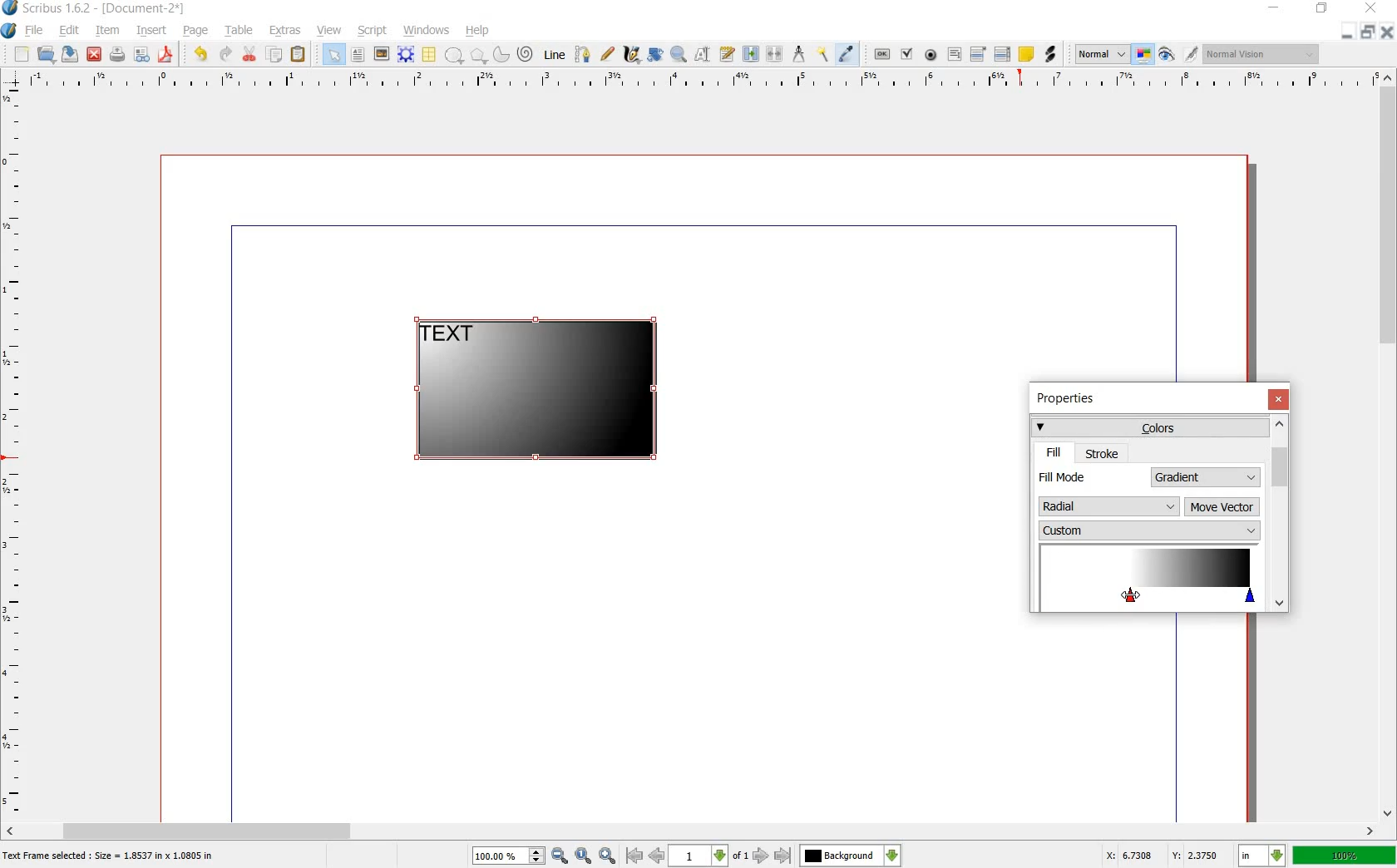 Image resolution: width=1397 pixels, height=868 pixels. What do you see at coordinates (1148, 427) in the screenshot?
I see `colors` at bounding box center [1148, 427].